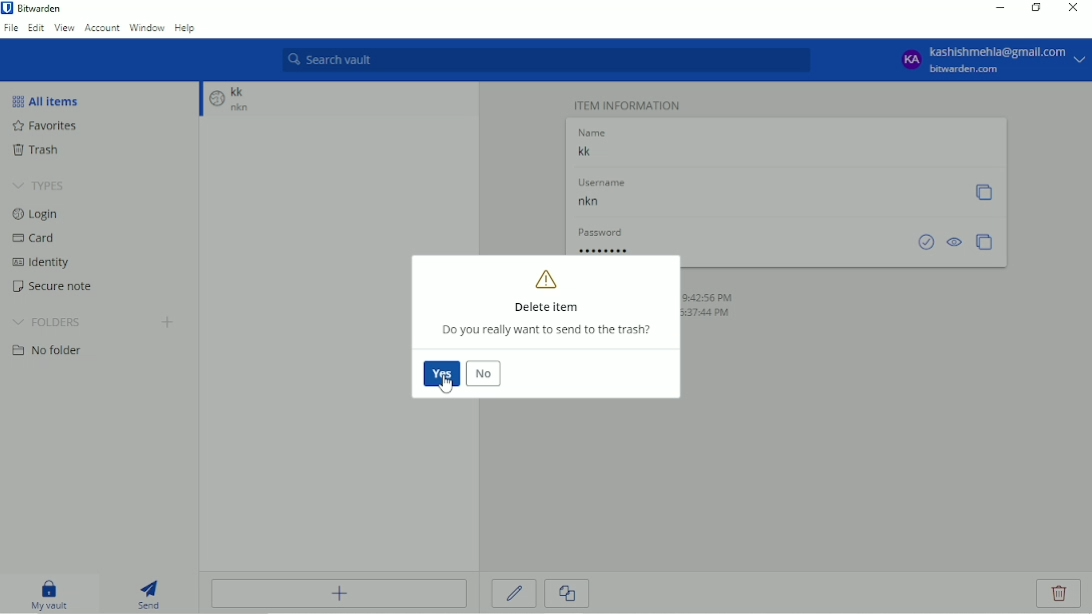 The image size is (1092, 614). What do you see at coordinates (545, 60) in the screenshot?
I see `Search vault` at bounding box center [545, 60].